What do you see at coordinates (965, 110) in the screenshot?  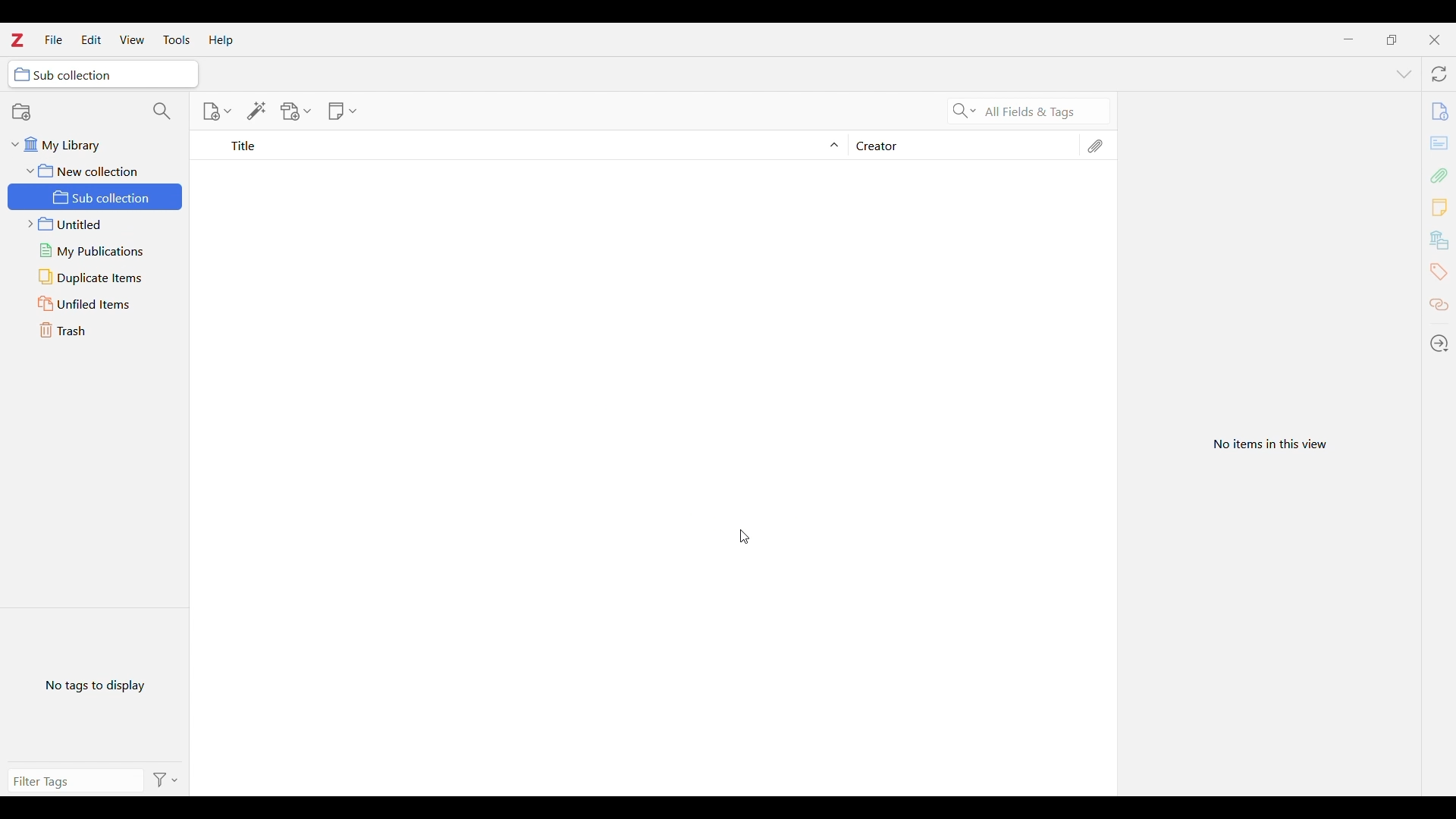 I see `Search criteria options` at bounding box center [965, 110].